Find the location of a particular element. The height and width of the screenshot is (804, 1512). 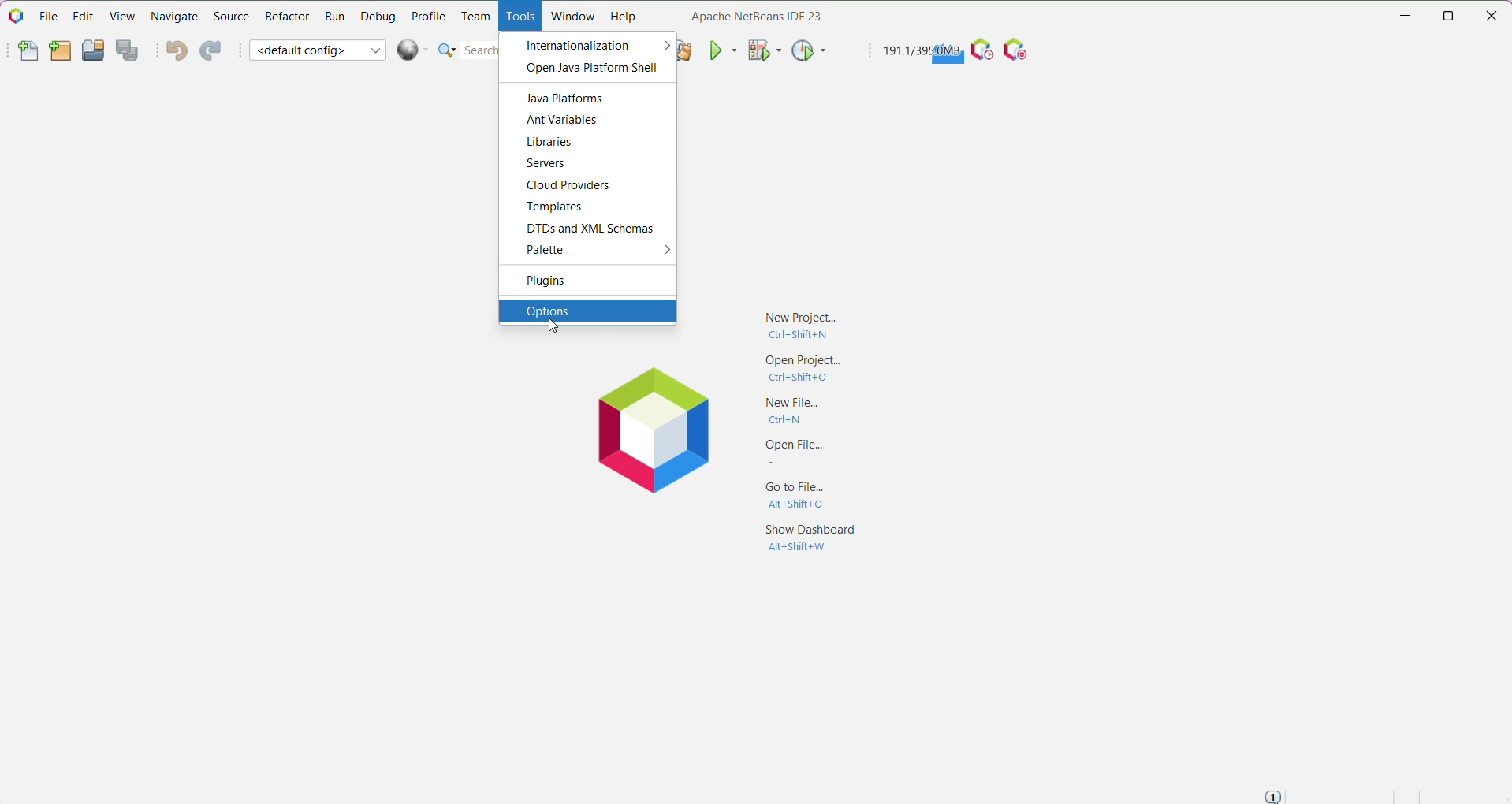

Profile the IDE is located at coordinates (981, 50).